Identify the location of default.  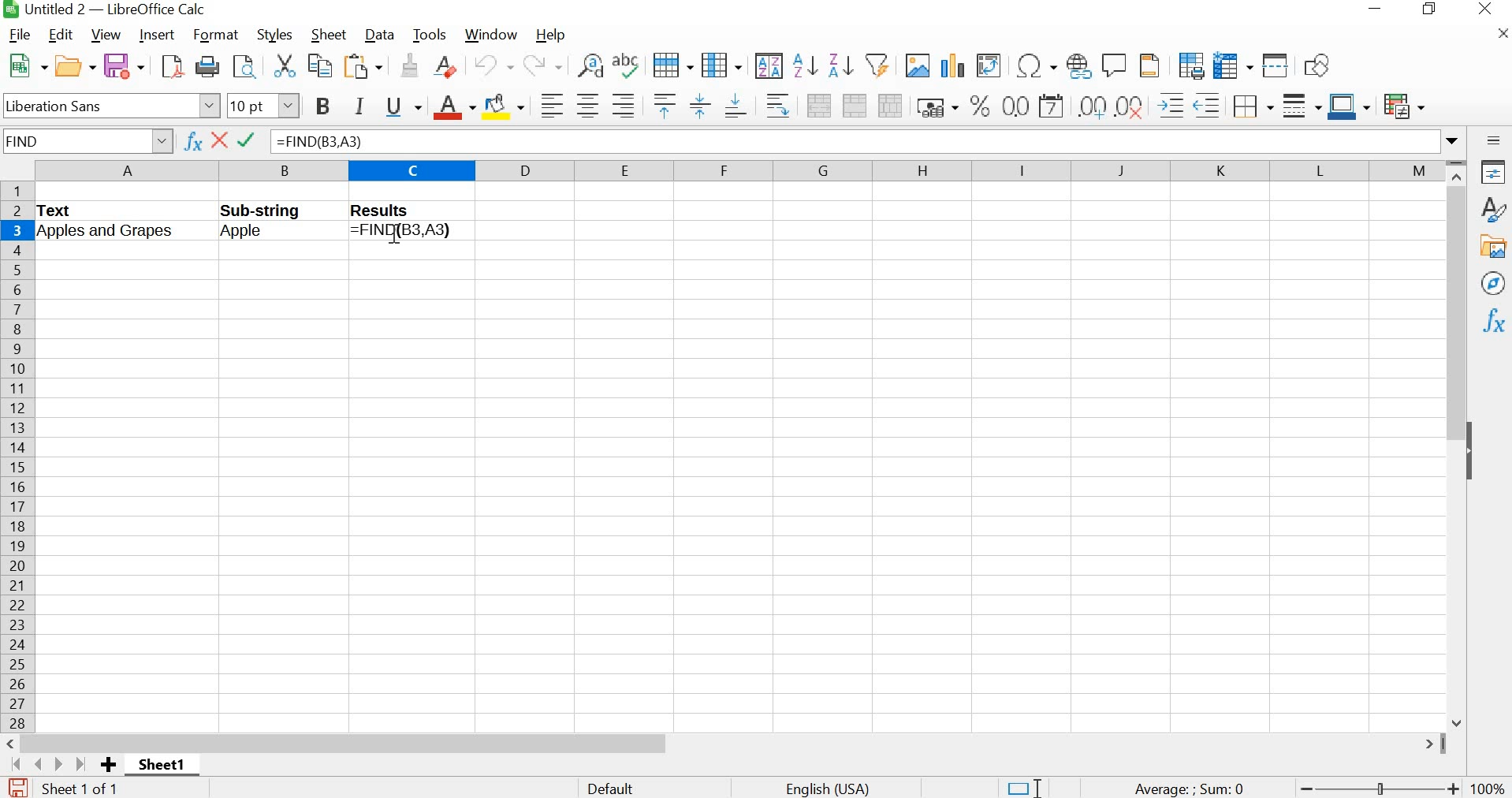
(615, 787).